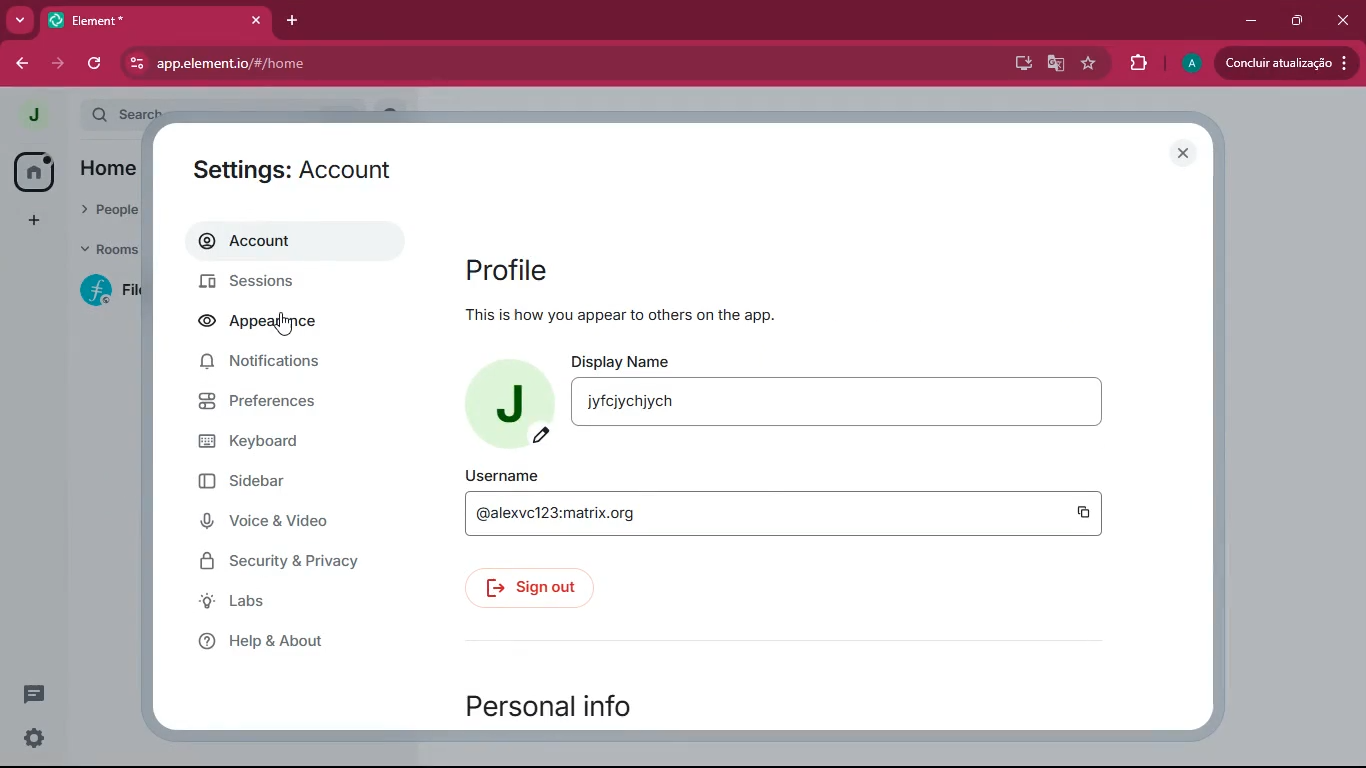 This screenshot has height=768, width=1366. I want to click on Settings: Account, so click(298, 169).